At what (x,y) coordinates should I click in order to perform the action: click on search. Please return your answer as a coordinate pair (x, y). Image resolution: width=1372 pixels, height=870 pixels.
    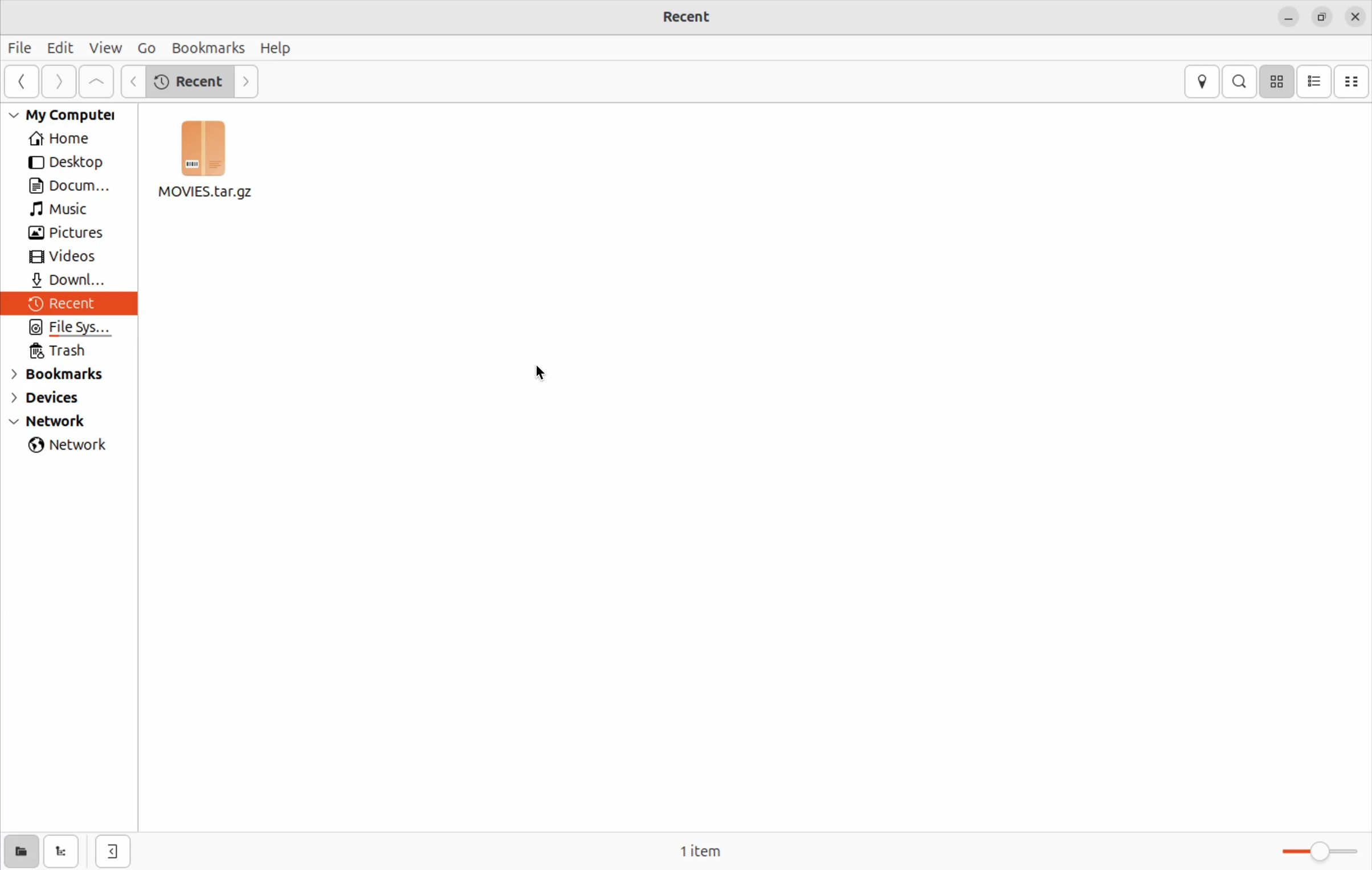
    Looking at the image, I should click on (1239, 81).